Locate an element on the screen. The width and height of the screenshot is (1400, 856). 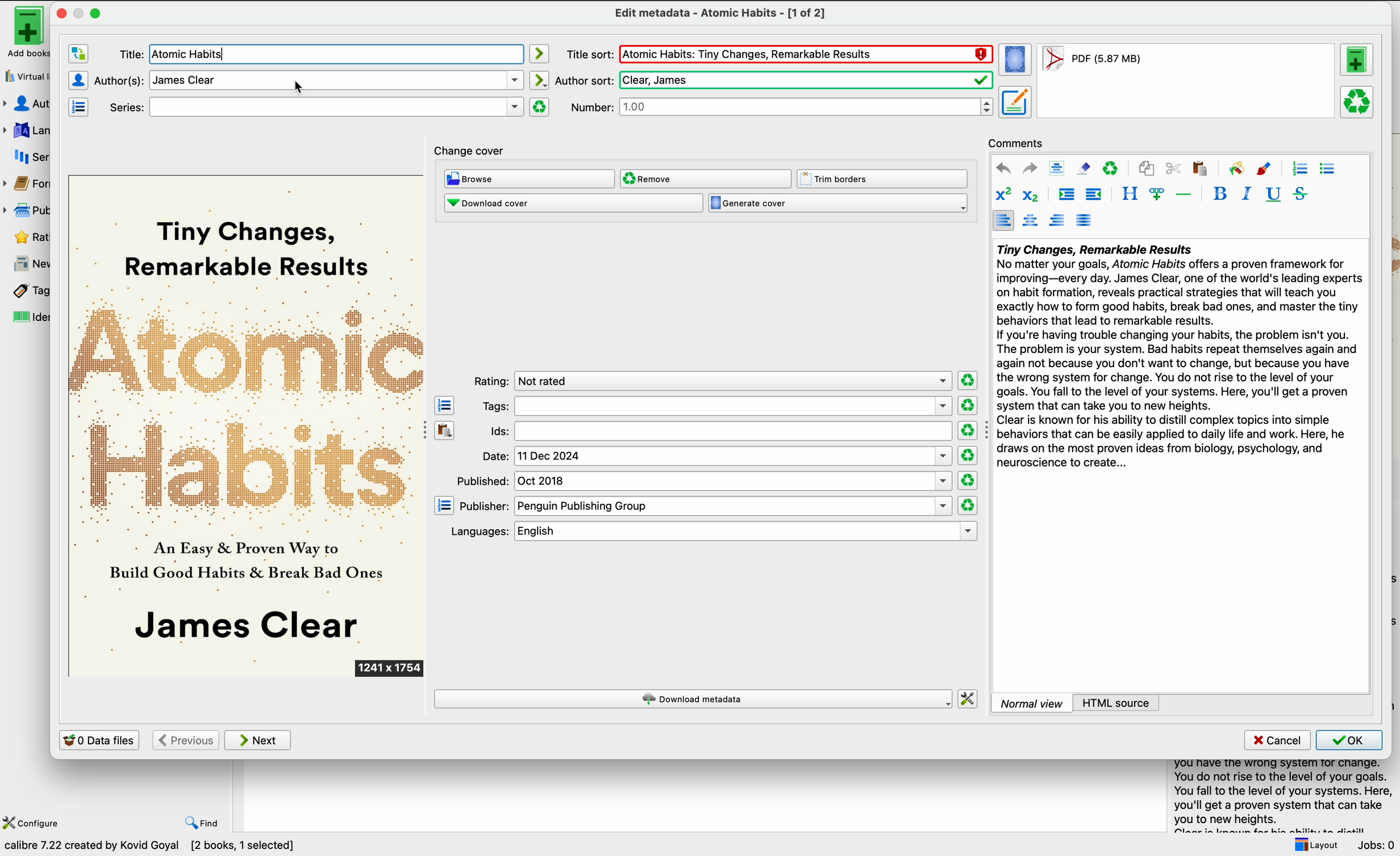
layout is located at coordinates (1315, 845).